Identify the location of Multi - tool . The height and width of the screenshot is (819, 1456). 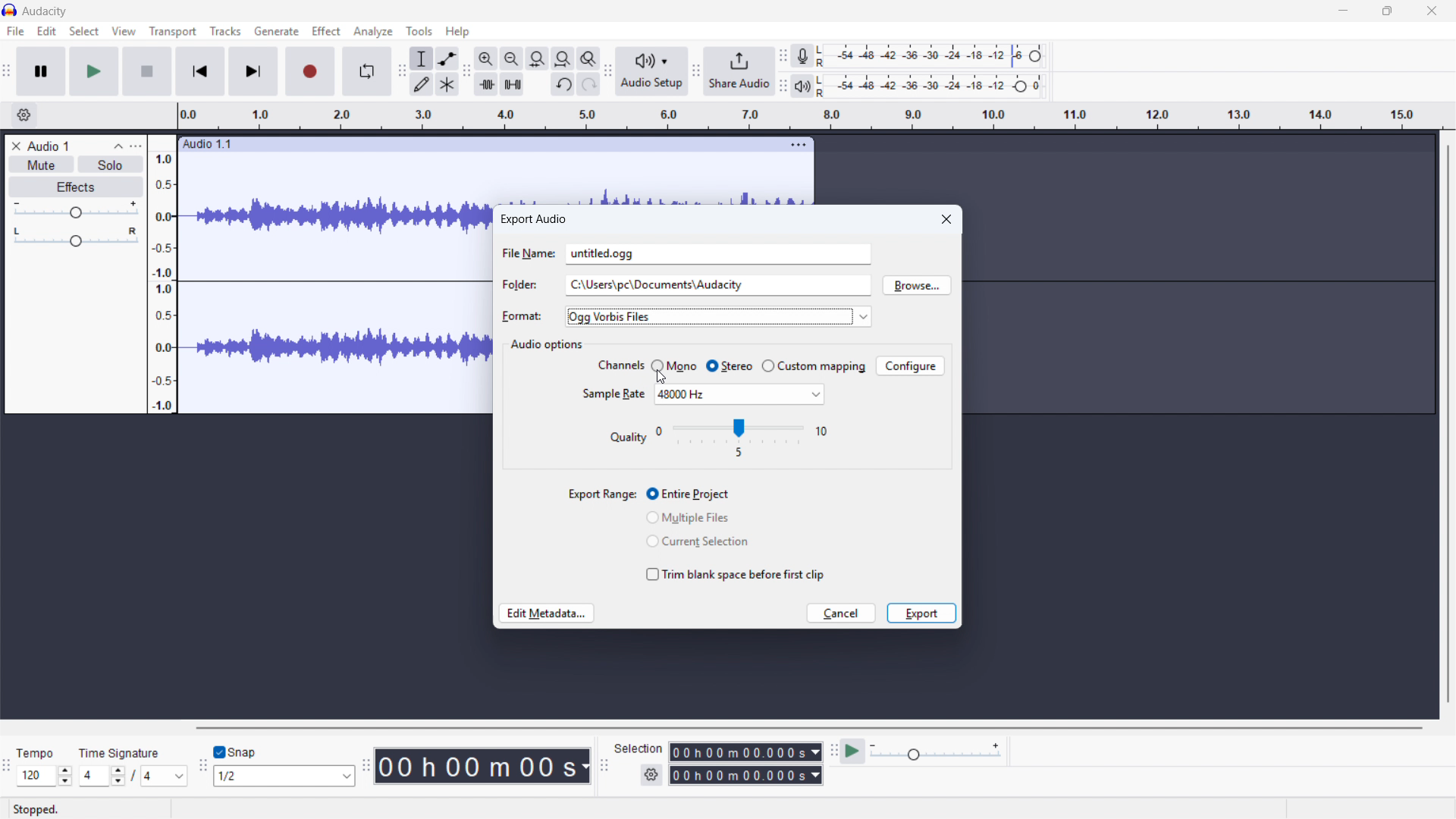
(447, 84).